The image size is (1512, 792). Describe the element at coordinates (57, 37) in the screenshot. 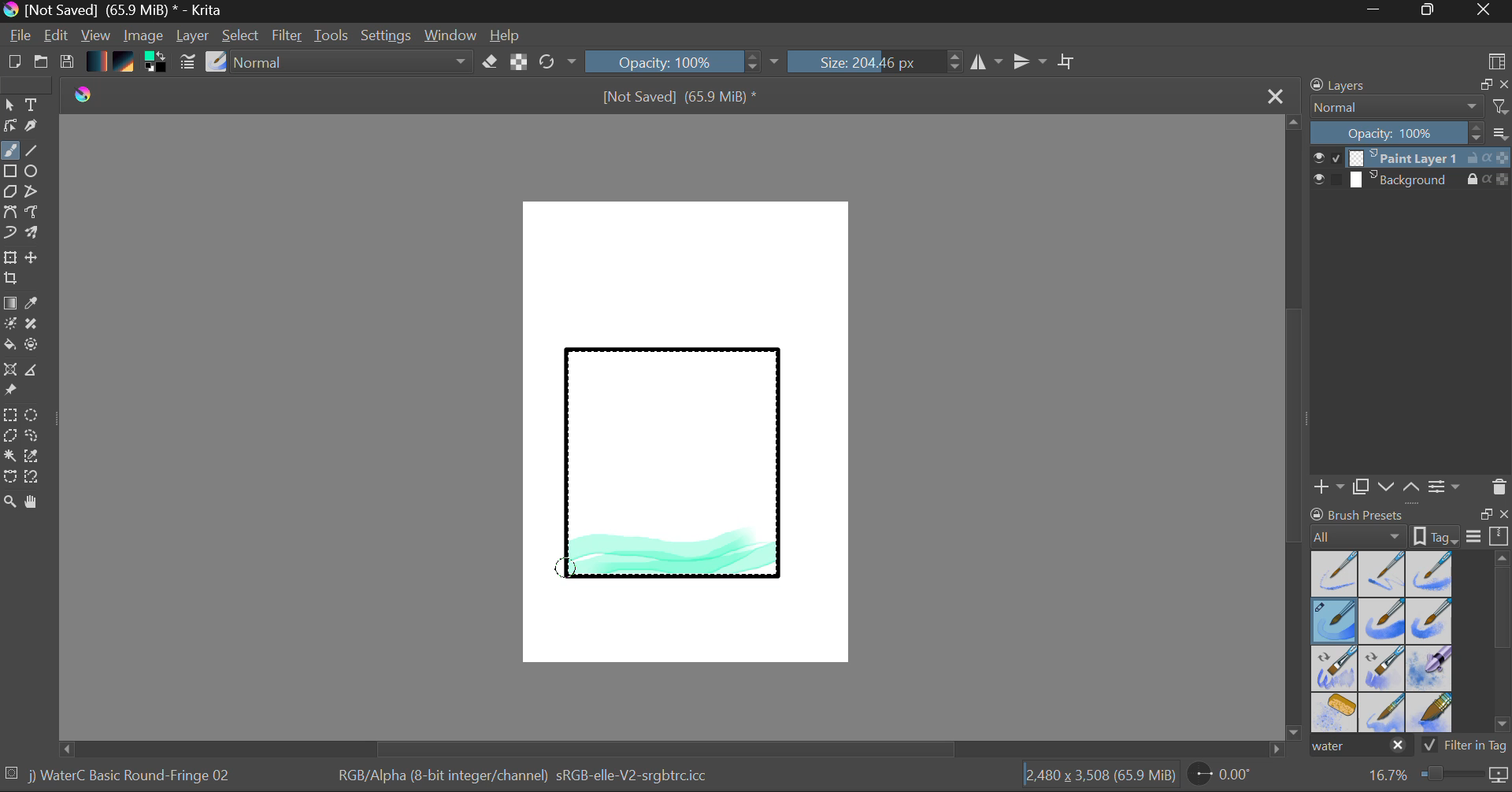

I see `Edit` at that location.